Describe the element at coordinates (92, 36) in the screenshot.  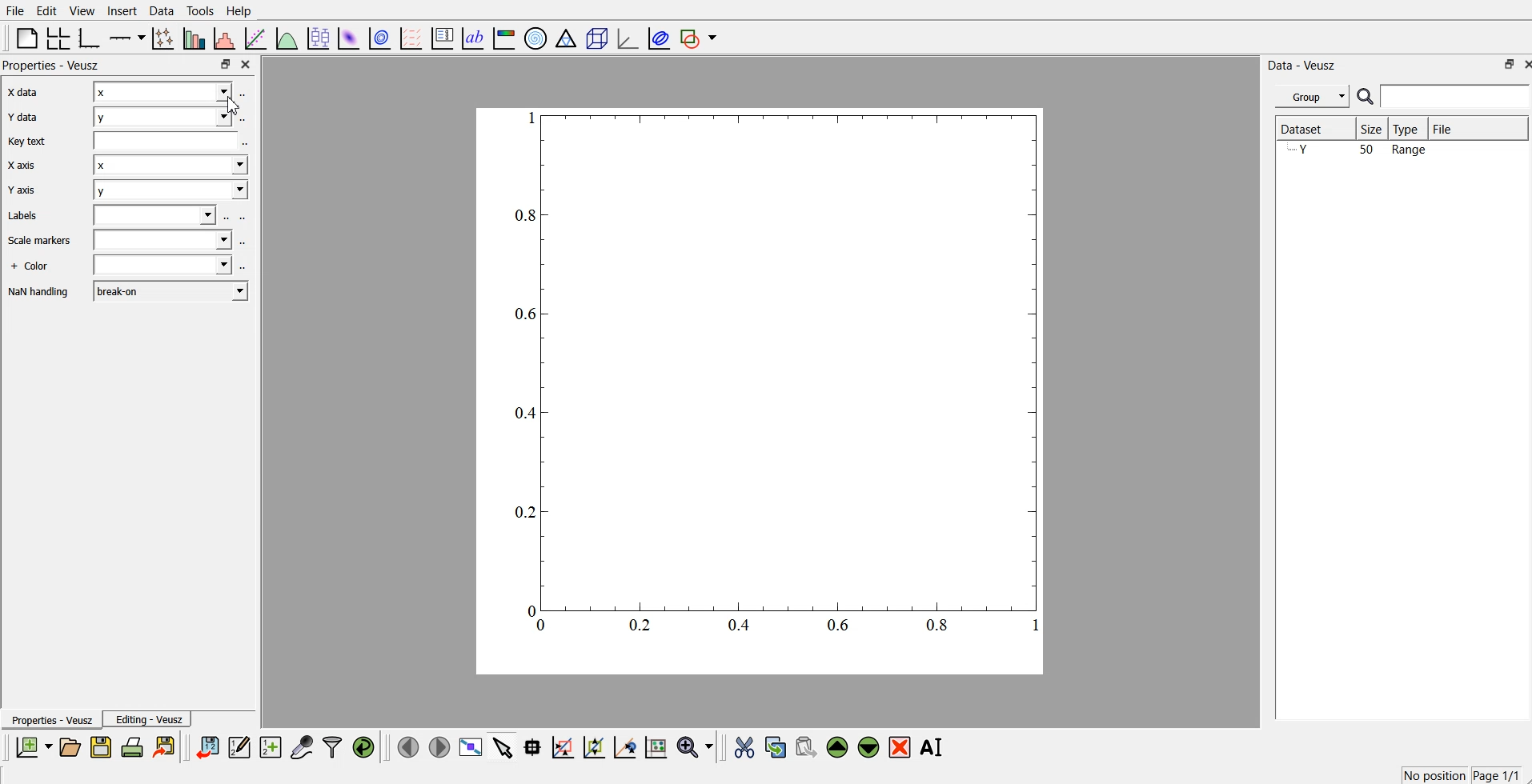
I see `base graphs` at that location.